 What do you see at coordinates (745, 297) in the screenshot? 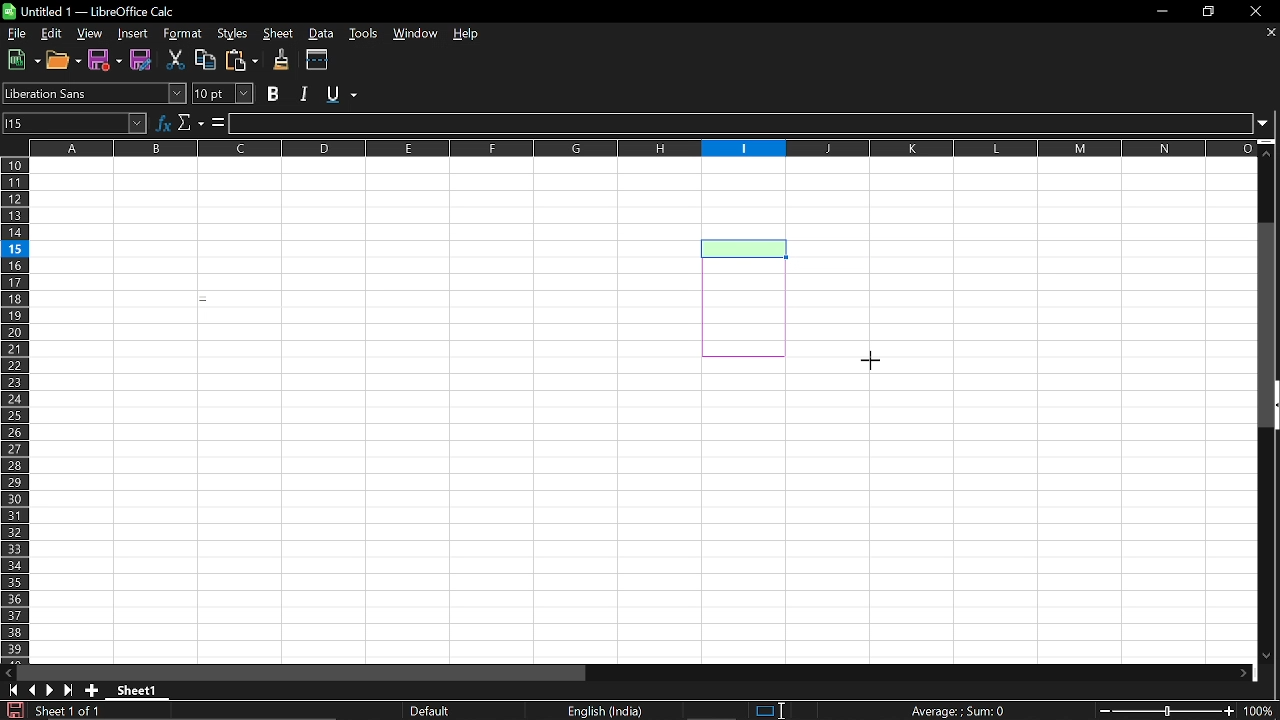
I see `Selected cells` at bounding box center [745, 297].